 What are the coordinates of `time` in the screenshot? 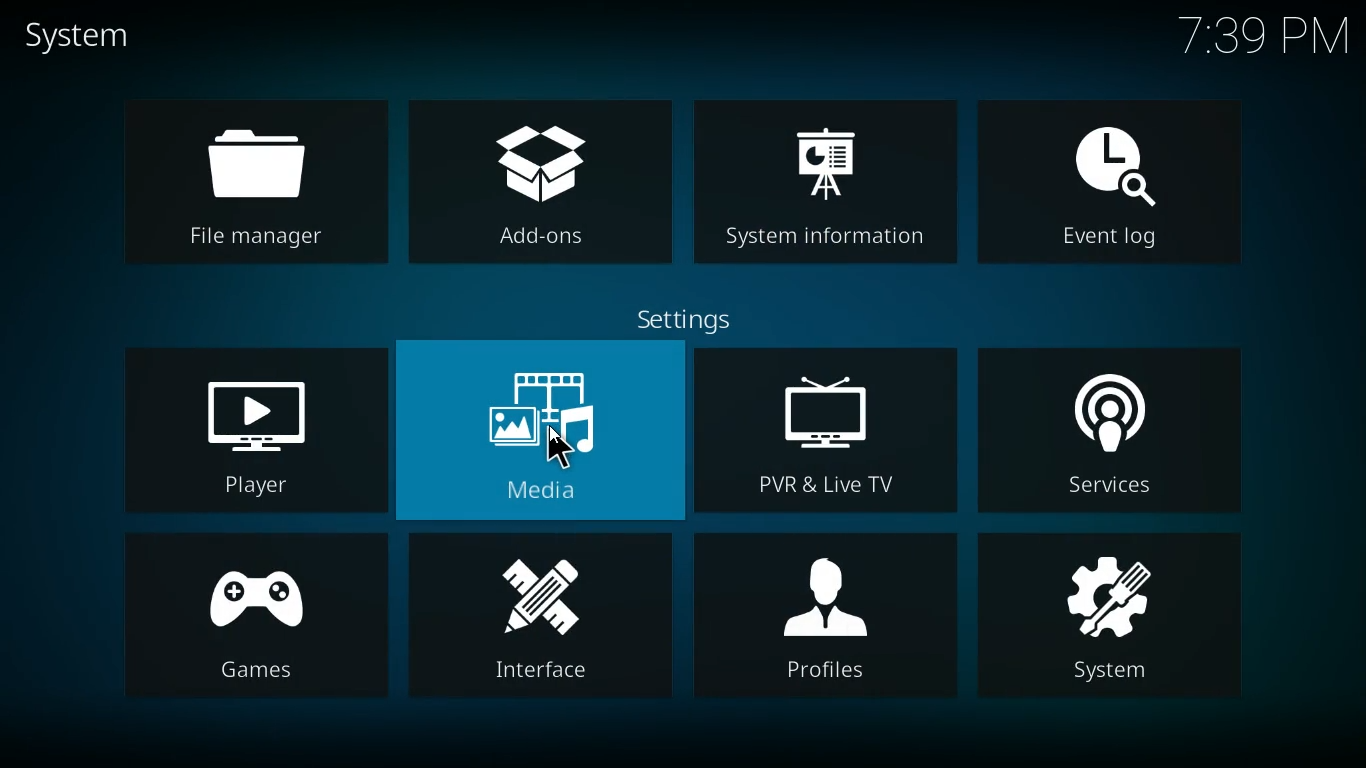 It's located at (1267, 37).